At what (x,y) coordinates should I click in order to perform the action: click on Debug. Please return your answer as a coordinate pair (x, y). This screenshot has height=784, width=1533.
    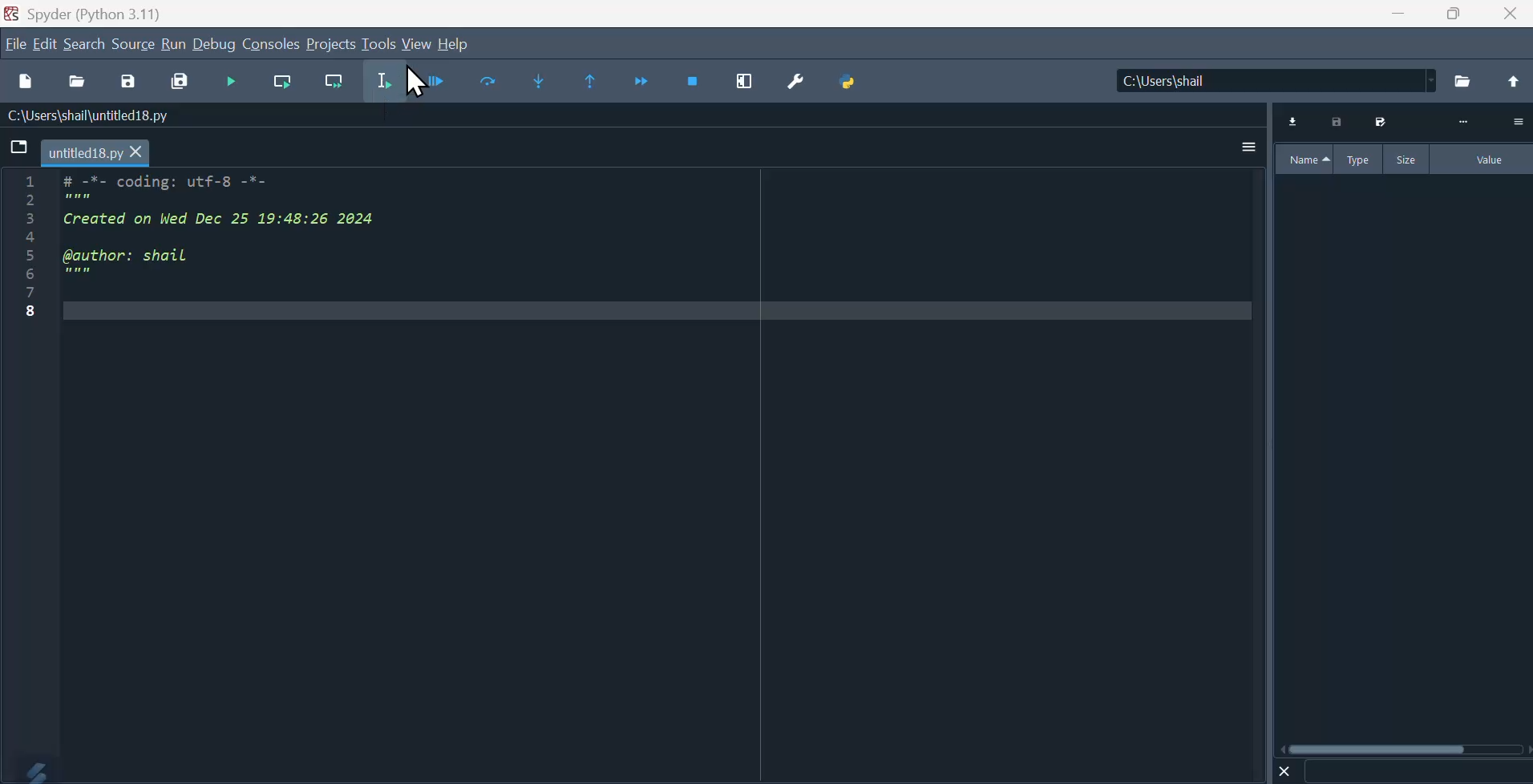
    Looking at the image, I should click on (215, 43).